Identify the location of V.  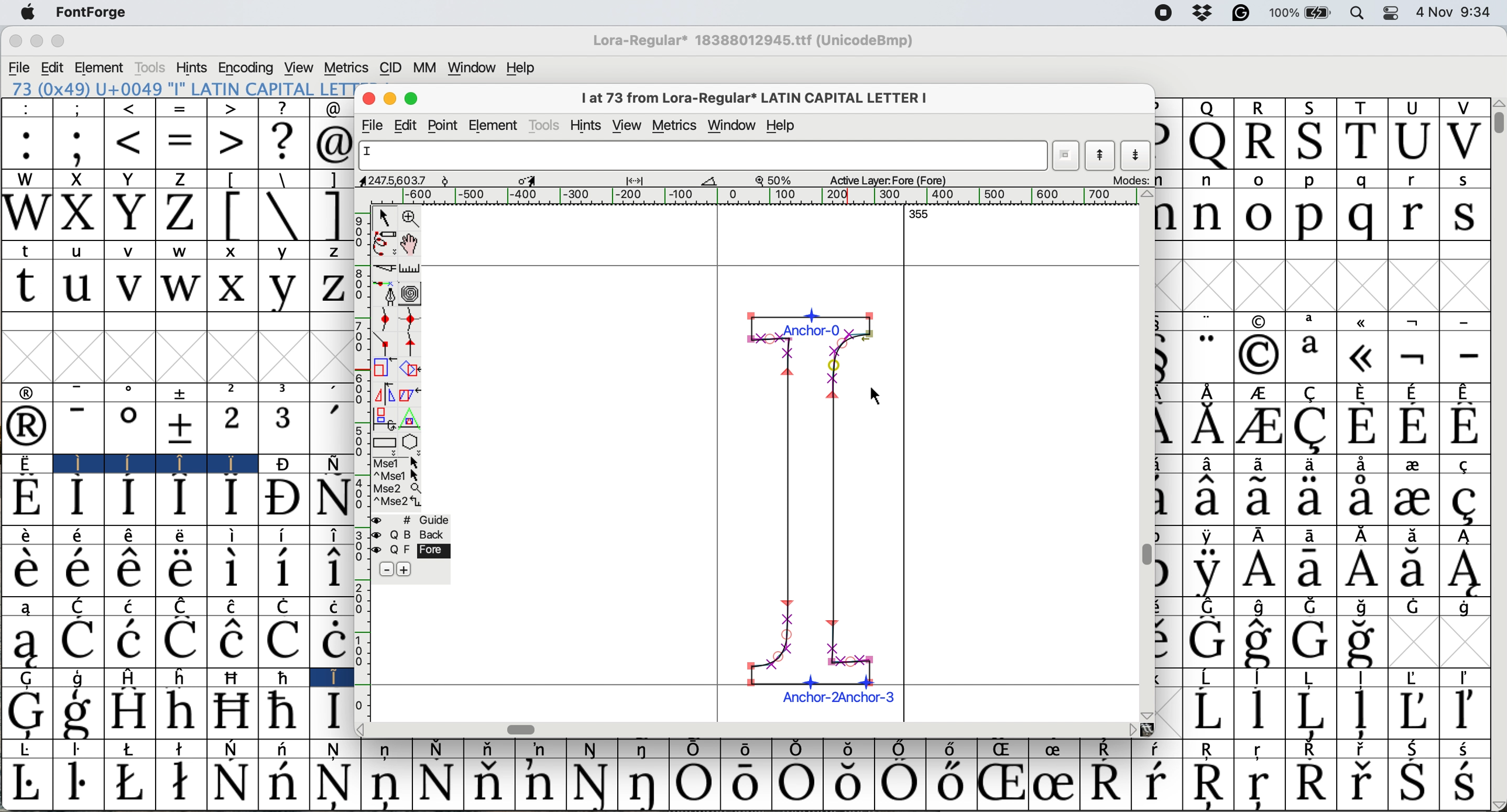
(1462, 108).